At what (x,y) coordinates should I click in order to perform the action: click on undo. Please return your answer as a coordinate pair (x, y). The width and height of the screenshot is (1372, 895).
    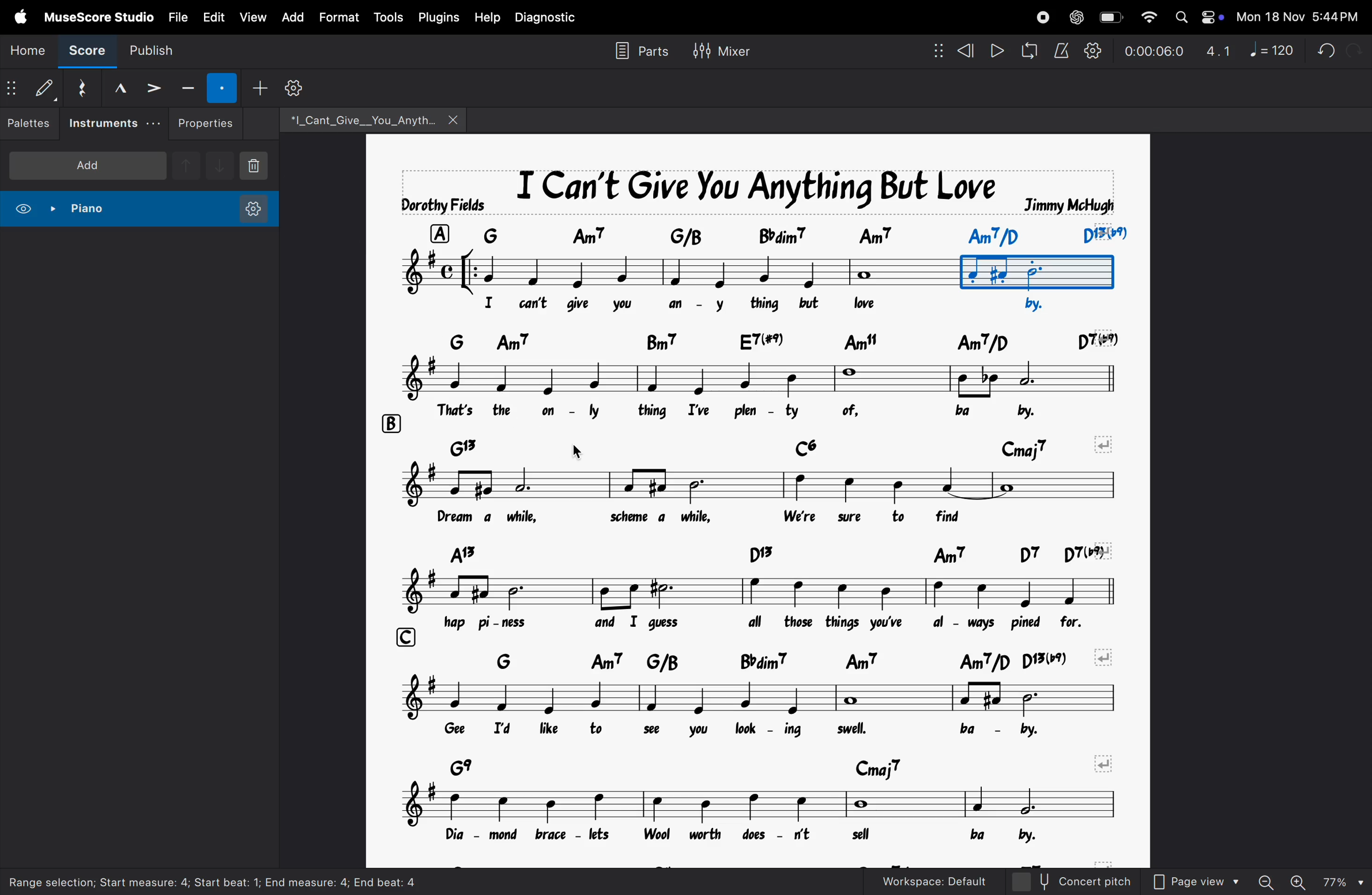
    Looking at the image, I should click on (1322, 48).